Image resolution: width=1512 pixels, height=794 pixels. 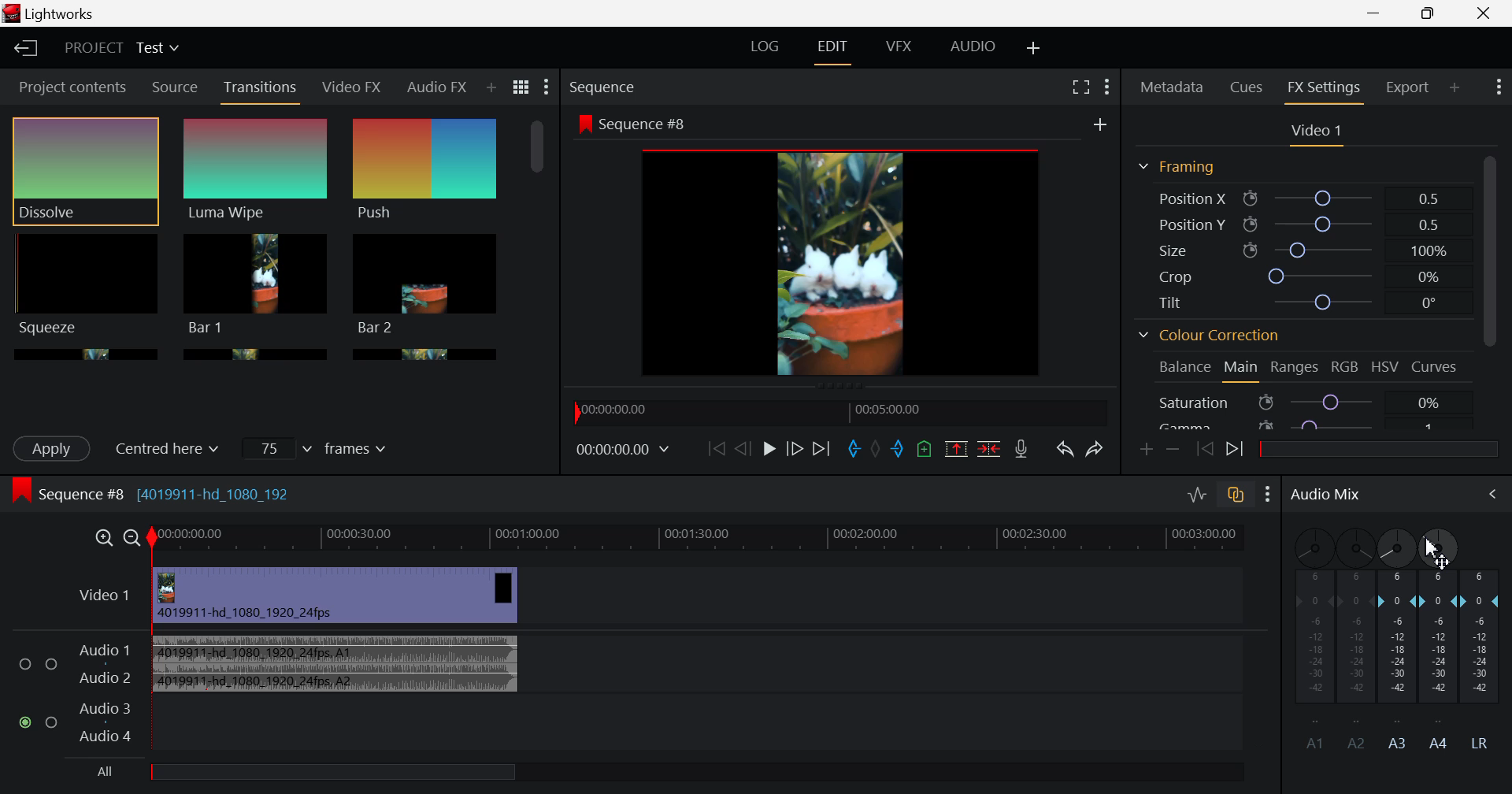 I want to click on Add Layout, so click(x=1032, y=47).